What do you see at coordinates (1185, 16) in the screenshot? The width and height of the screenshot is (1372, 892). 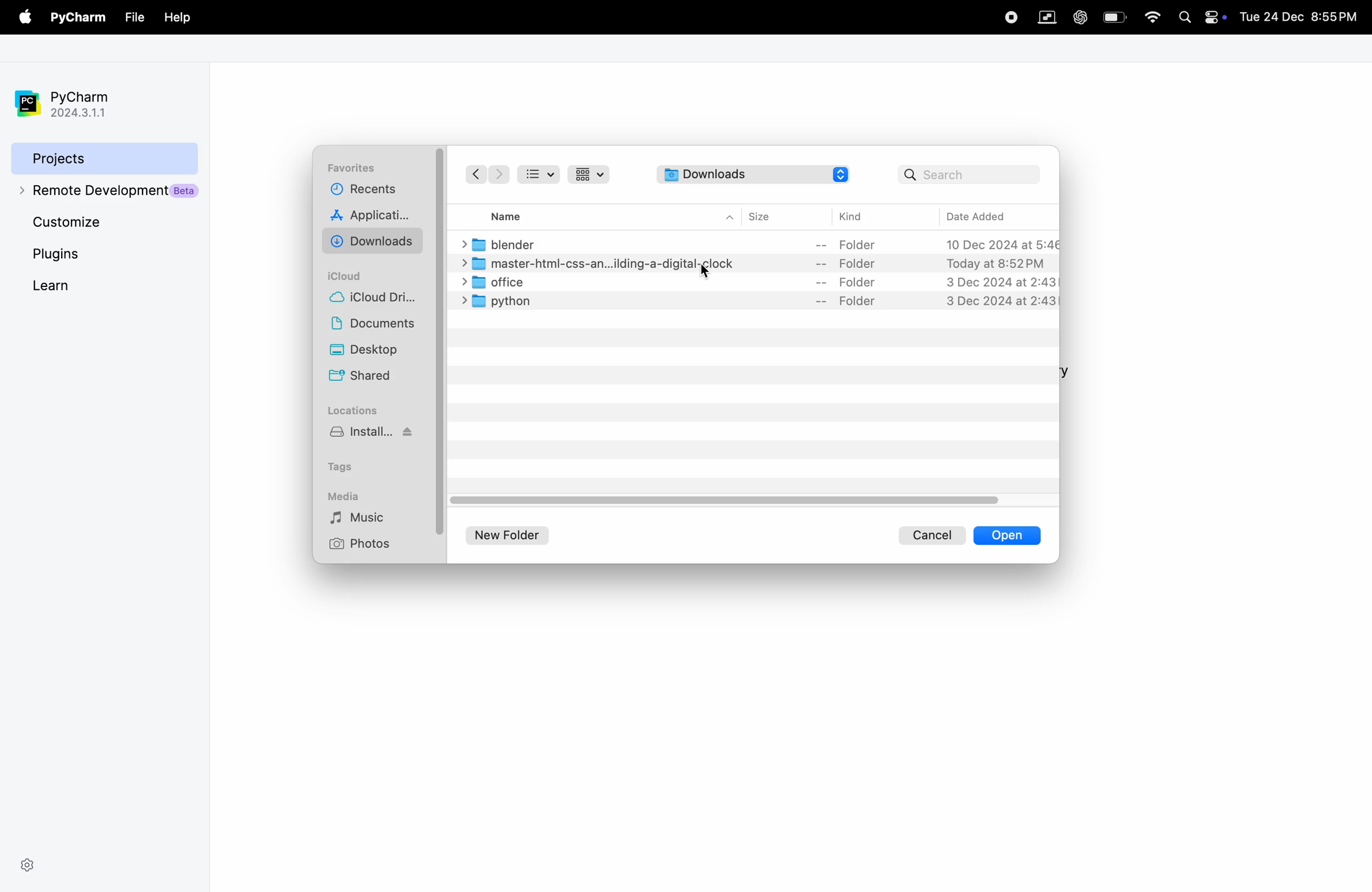 I see `search` at bounding box center [1185, 16].